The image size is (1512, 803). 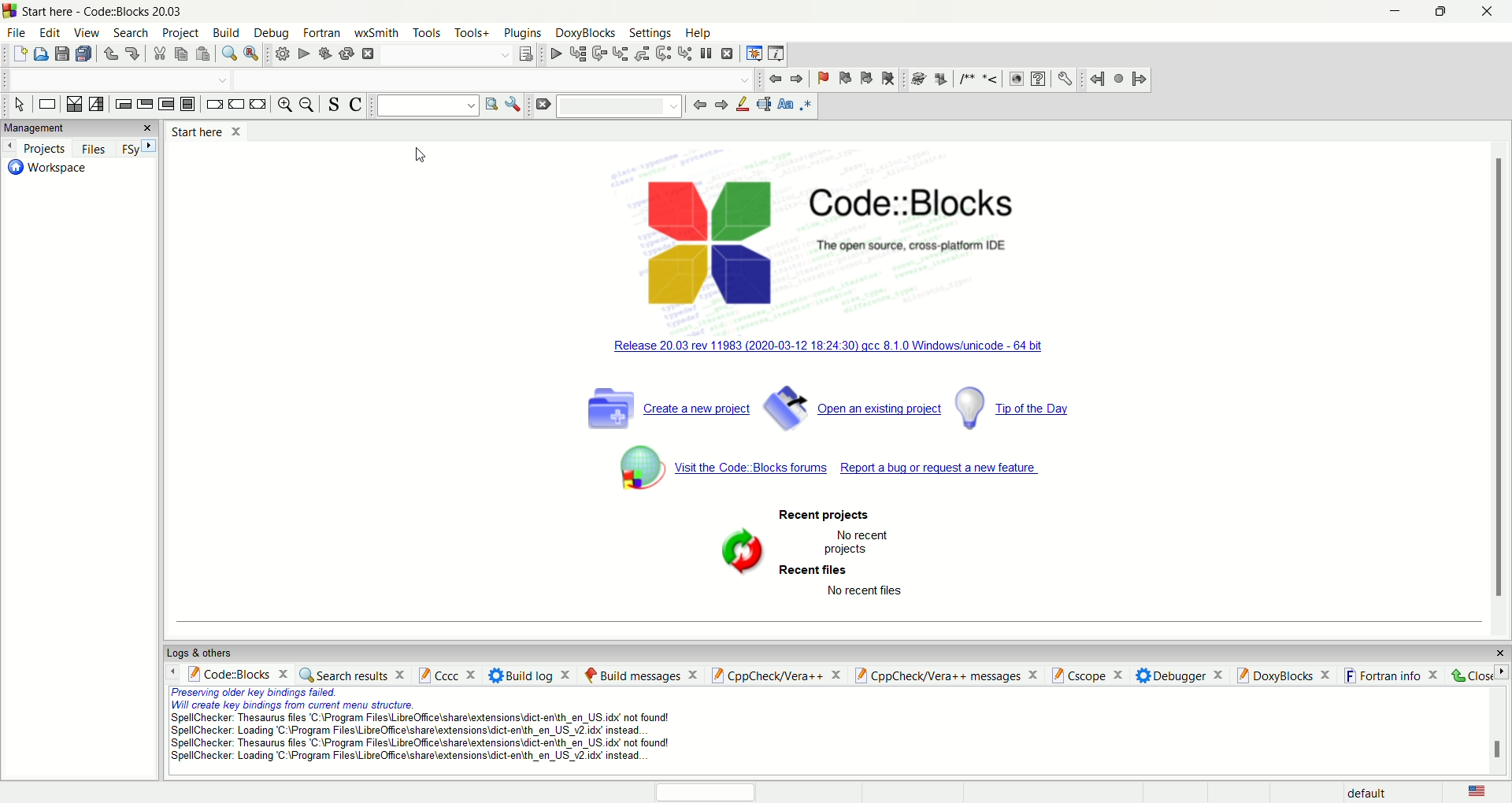 What do you see at coordinates (1495, 12) in the screenshot?
I see `close` at bounding box center [1495, 12].